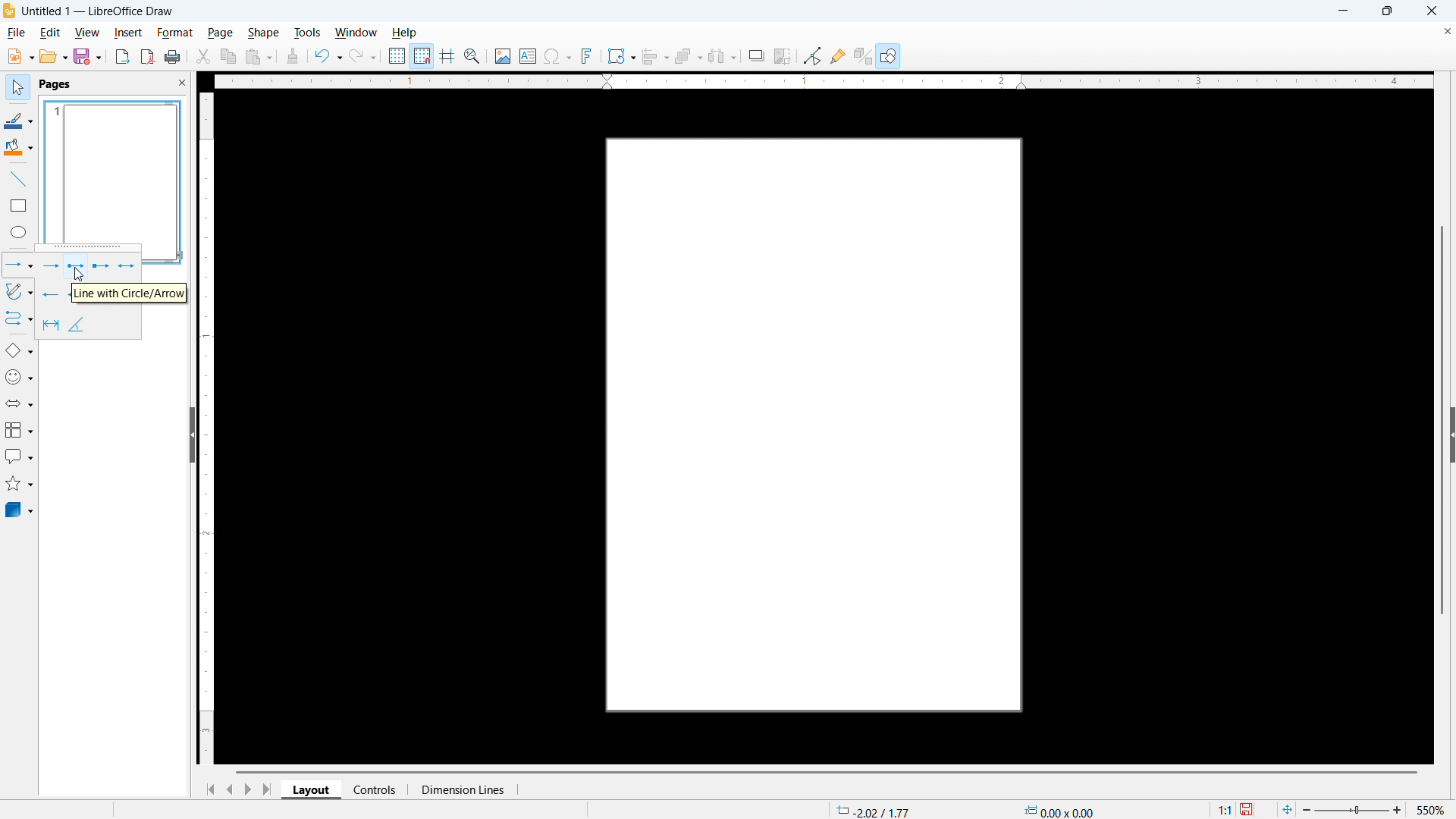 This screenshot has height=819, width=1456. Describe the element at coordinates (1388, 11) in the screenshot. I see `Maximise ` at that location.